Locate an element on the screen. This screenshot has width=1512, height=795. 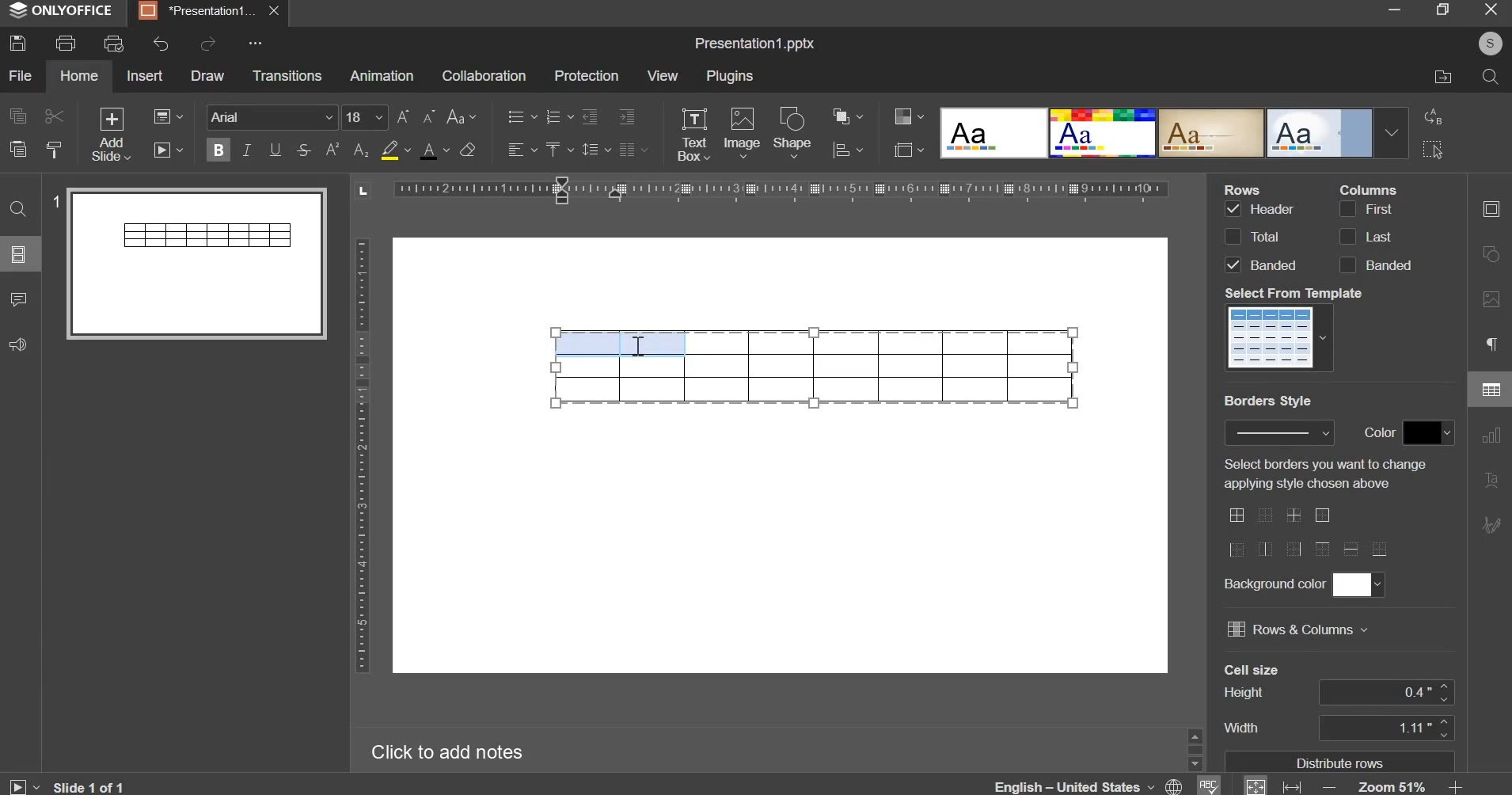
Title is located at coordinates (754, 44).